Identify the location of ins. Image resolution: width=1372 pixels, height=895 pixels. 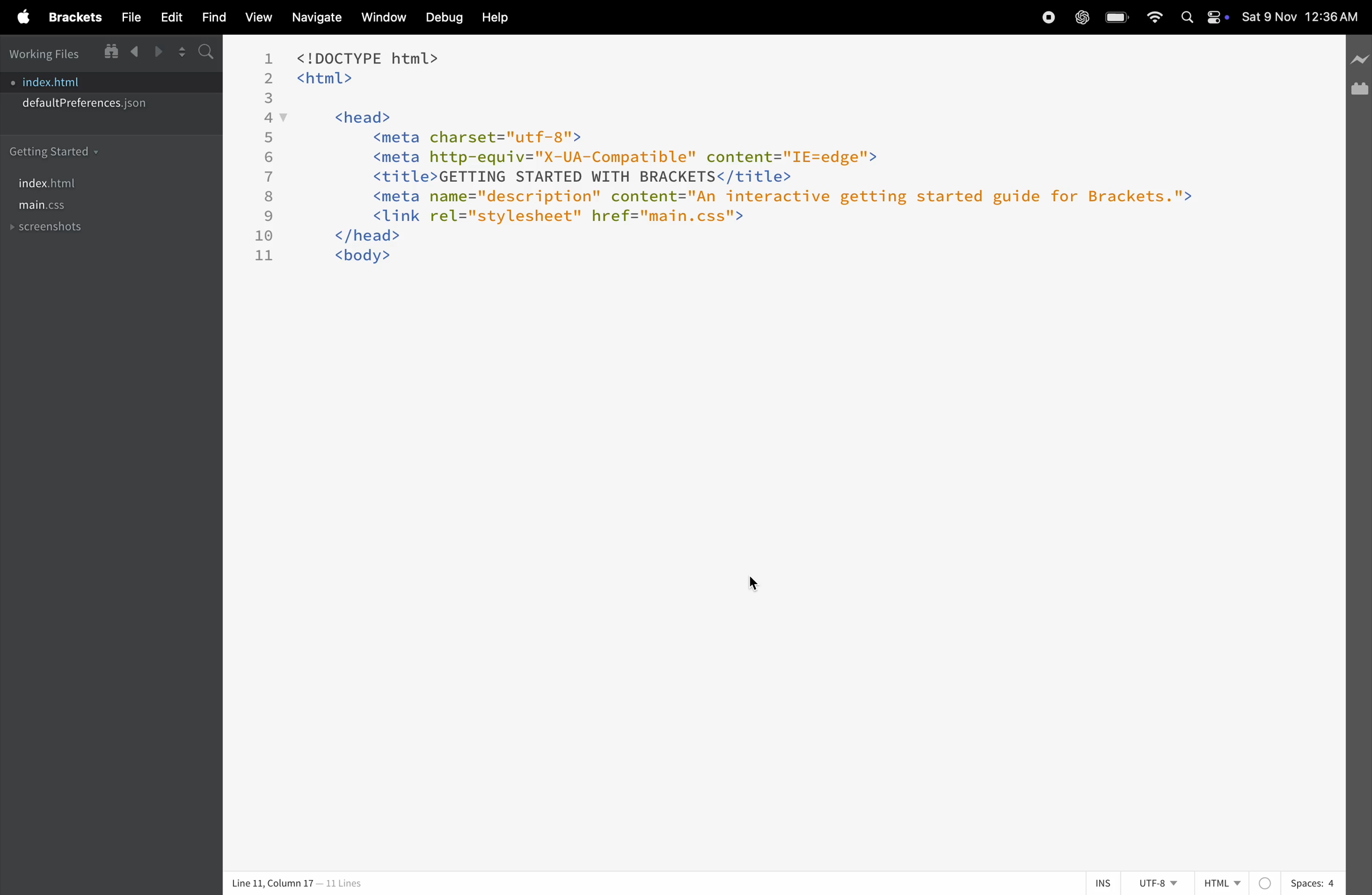
(1105, 883).